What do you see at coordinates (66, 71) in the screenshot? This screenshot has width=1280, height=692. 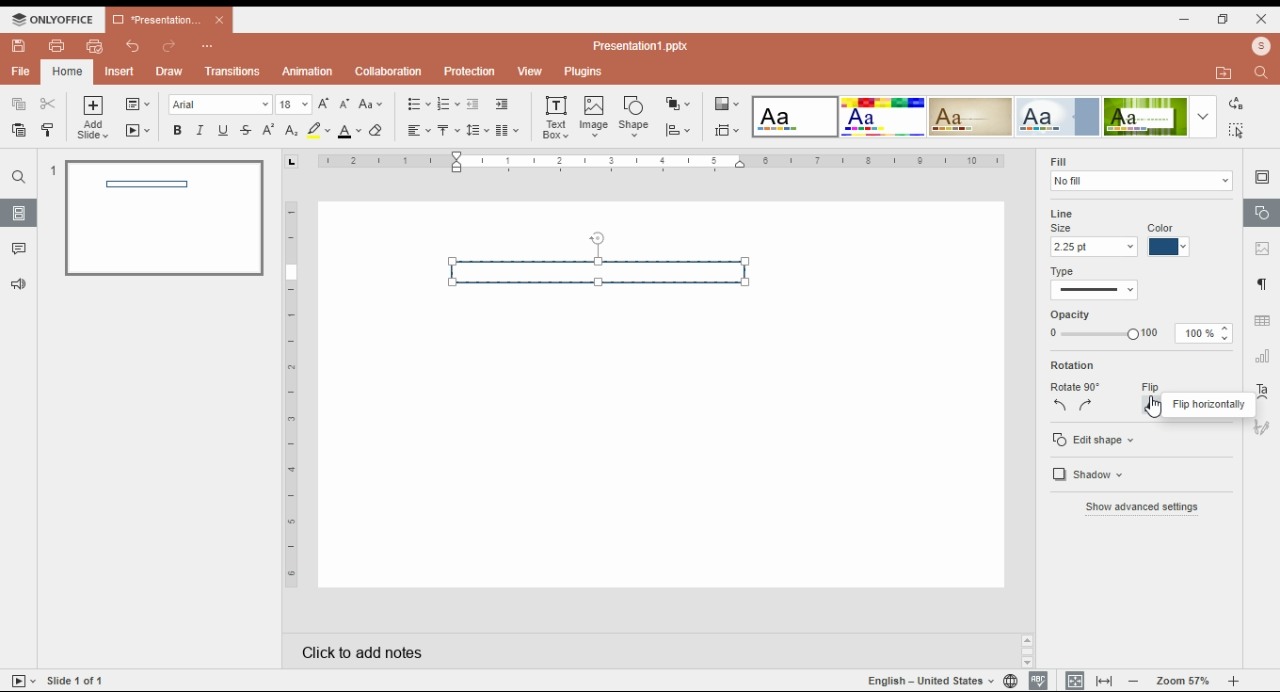 I see `home` at bounding box center [66, 71].